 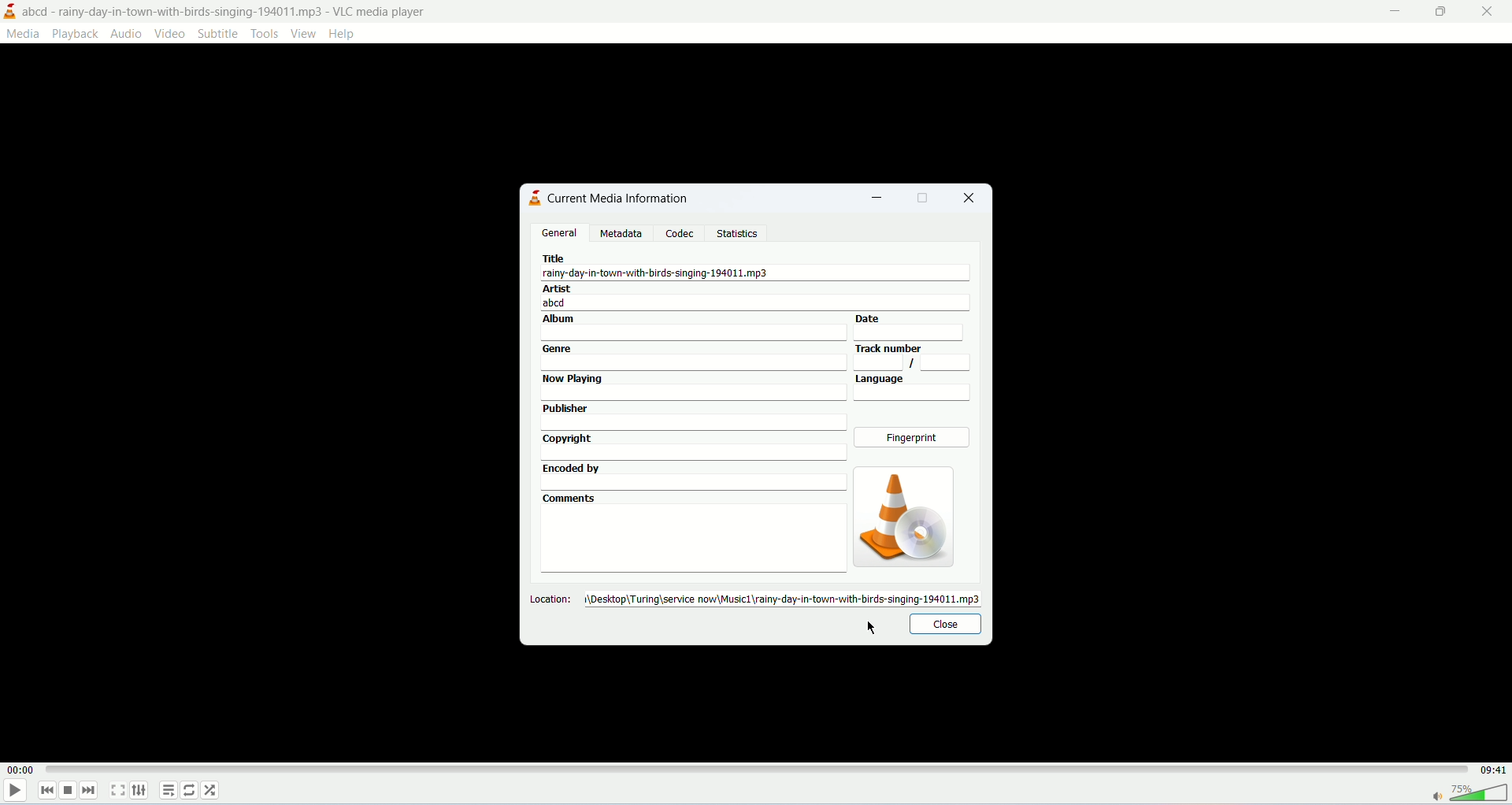 What do you see at coordinates (762, 268) in the screenshot?
I see `title` at bounding box center [762, 268].